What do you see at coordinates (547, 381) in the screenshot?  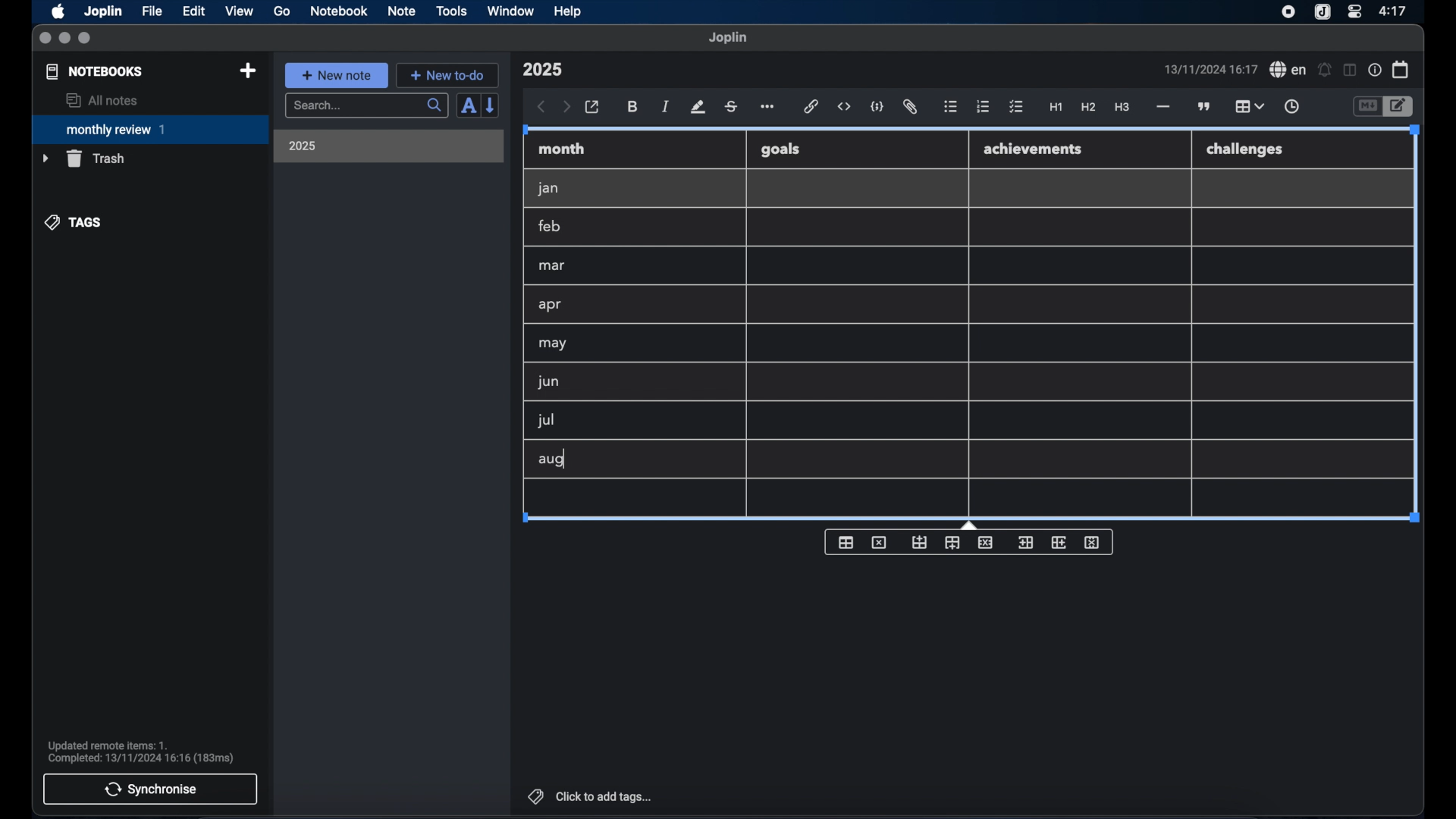 I see `jun` at bounding box center [547, 381].